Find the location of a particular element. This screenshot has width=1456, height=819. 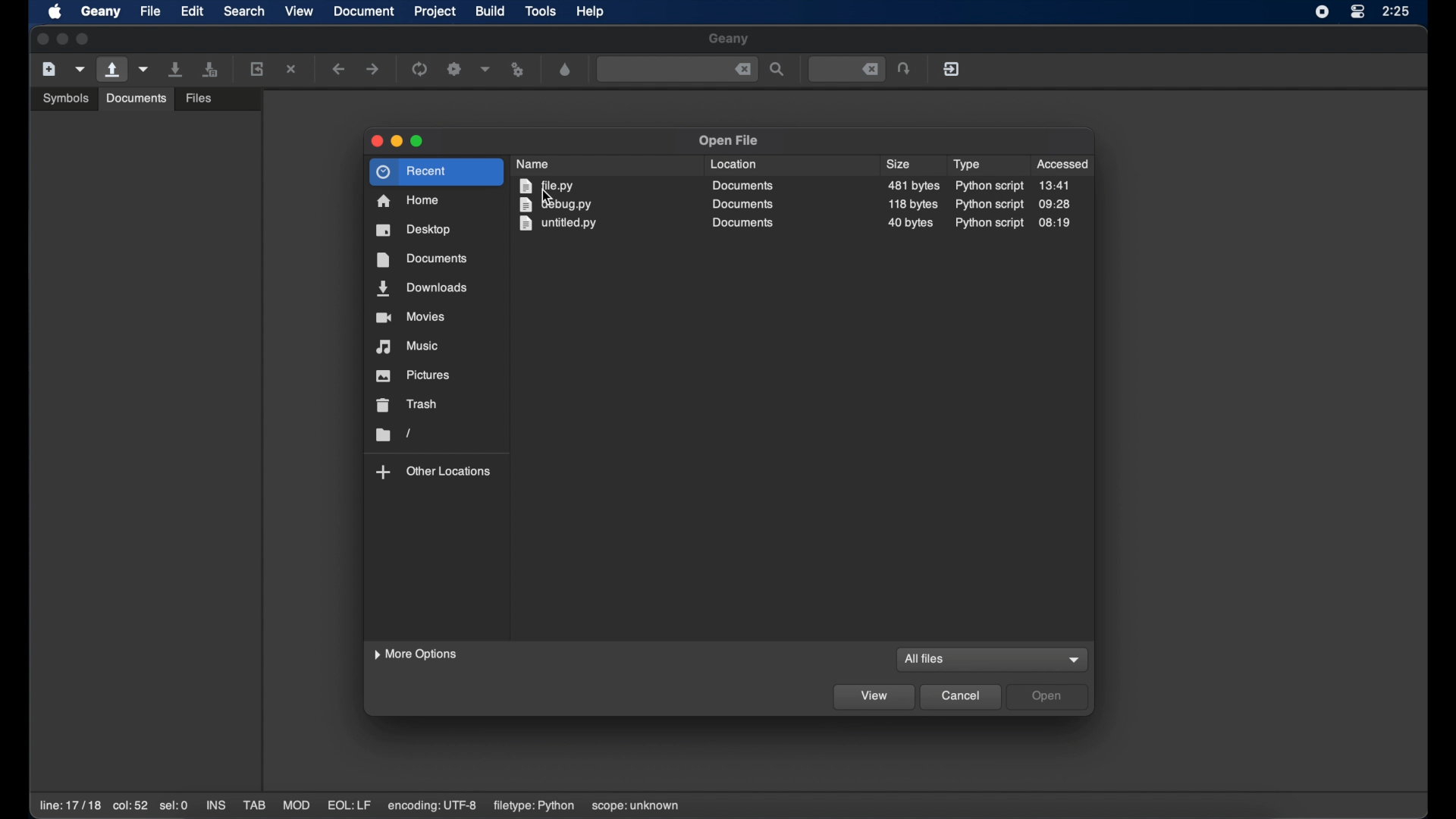

filetype: python is located at coordinates (532, 805).